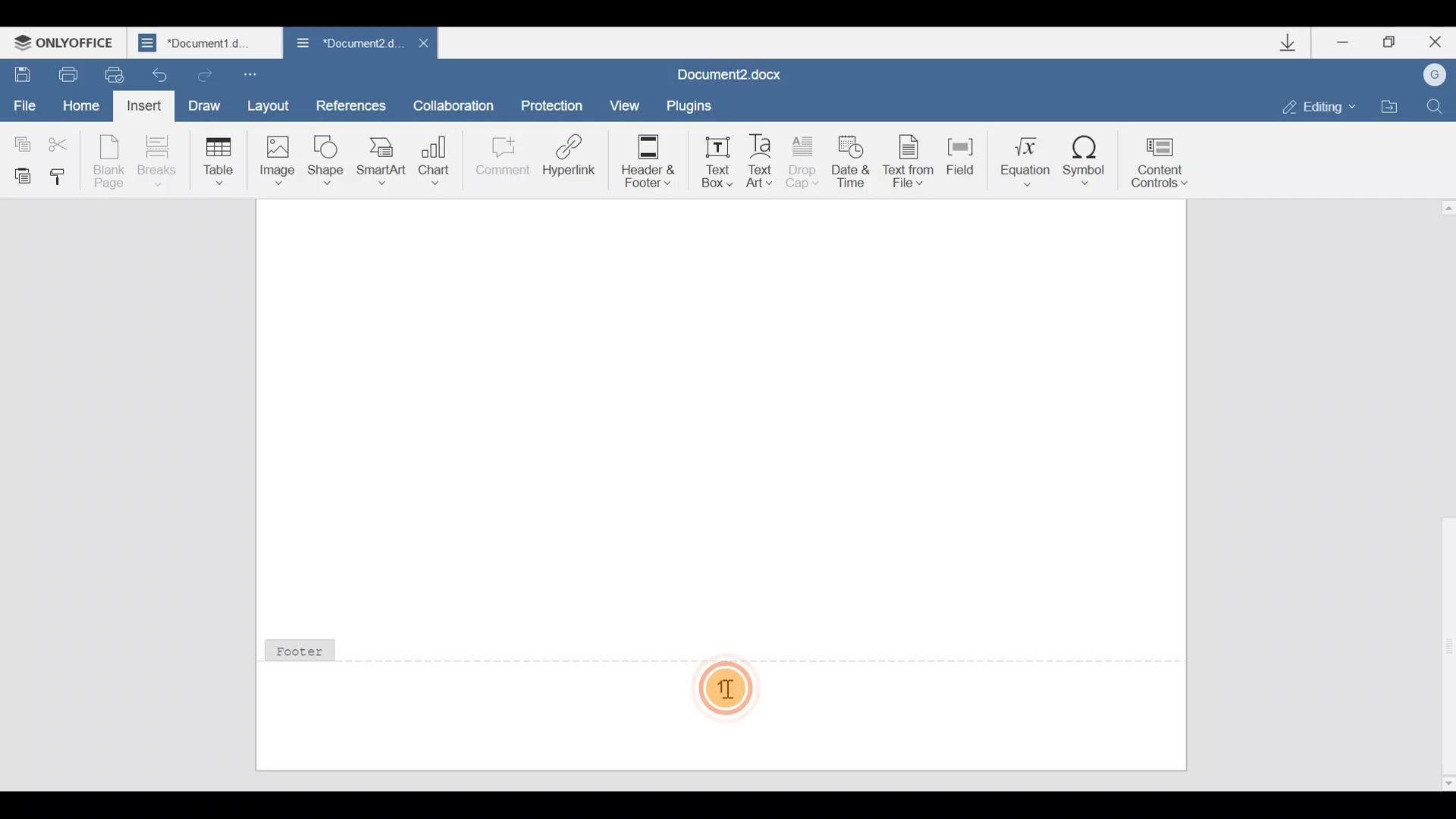 The width and height of the screenshot is (1456, 819). What do you see at coordinates (1437, 75) in the screenshot?
I see `Account name` at bounding box center [1437, 75].